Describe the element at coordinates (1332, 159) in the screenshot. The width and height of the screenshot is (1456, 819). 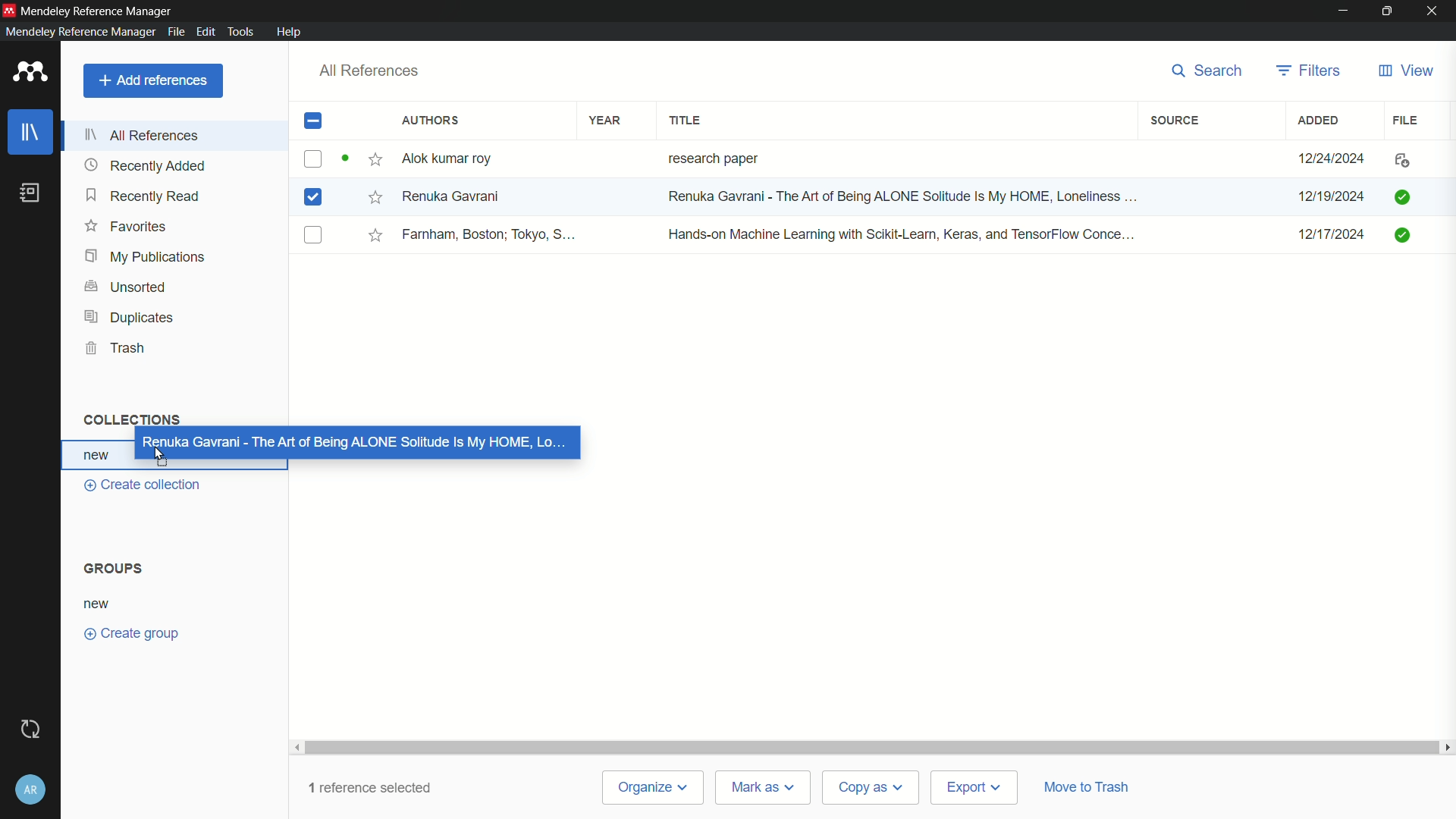
I see `12/24/2024` at that location.